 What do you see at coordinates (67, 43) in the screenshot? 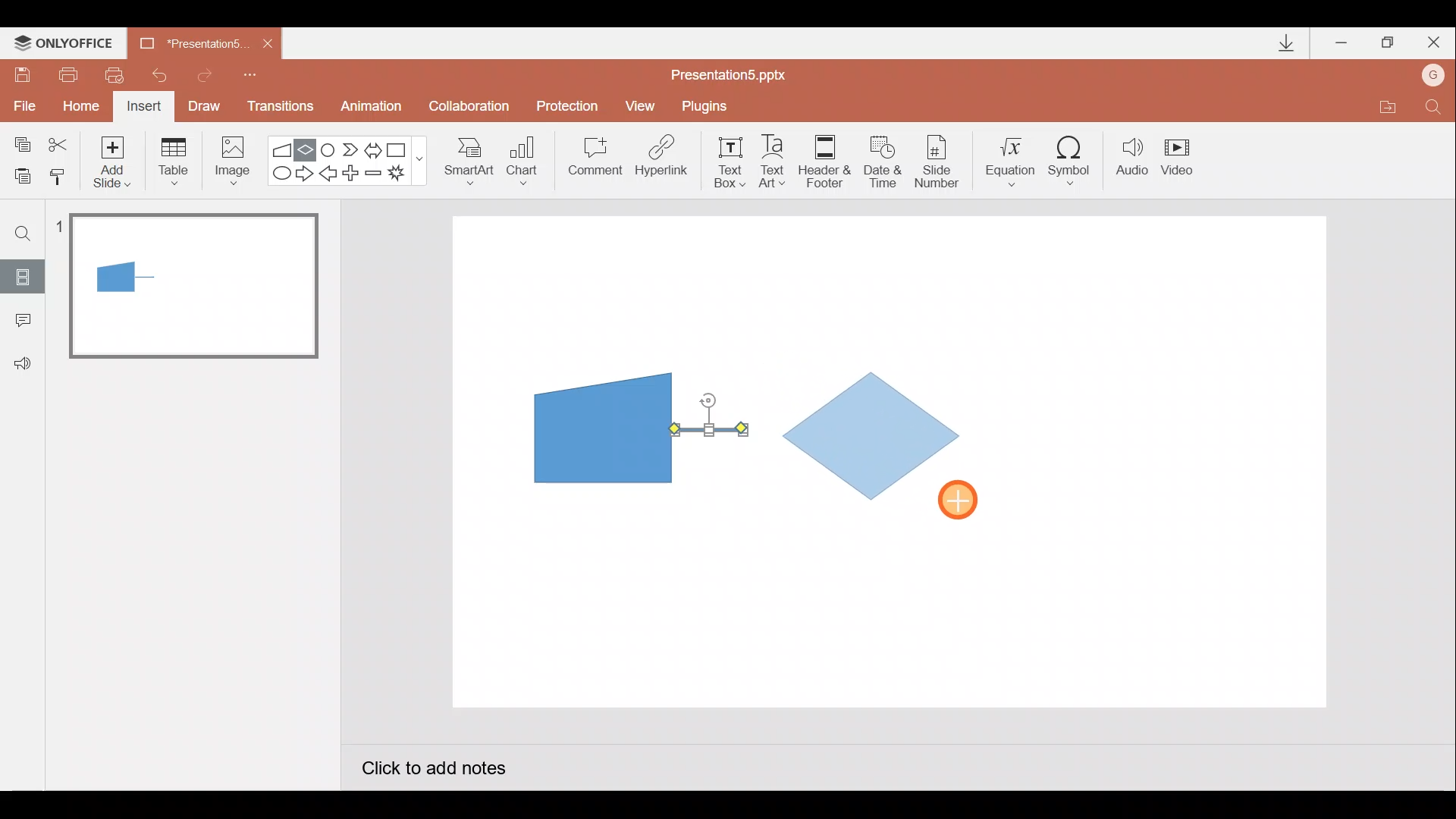
I see `ONLYOFFICE` at bounding box center [67, 43].